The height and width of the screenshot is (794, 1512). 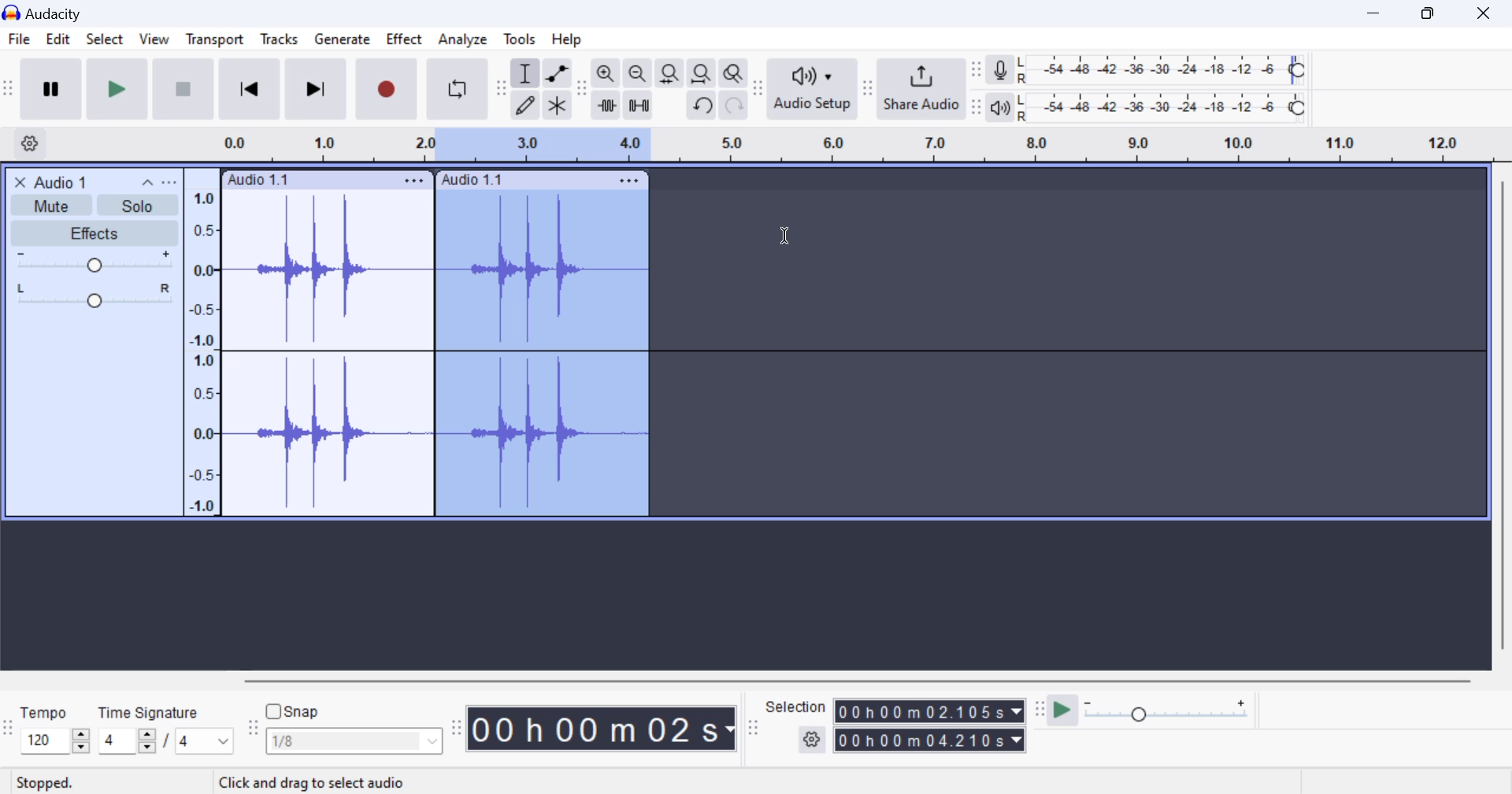 I want to click on File, so click(x=18, y=39).